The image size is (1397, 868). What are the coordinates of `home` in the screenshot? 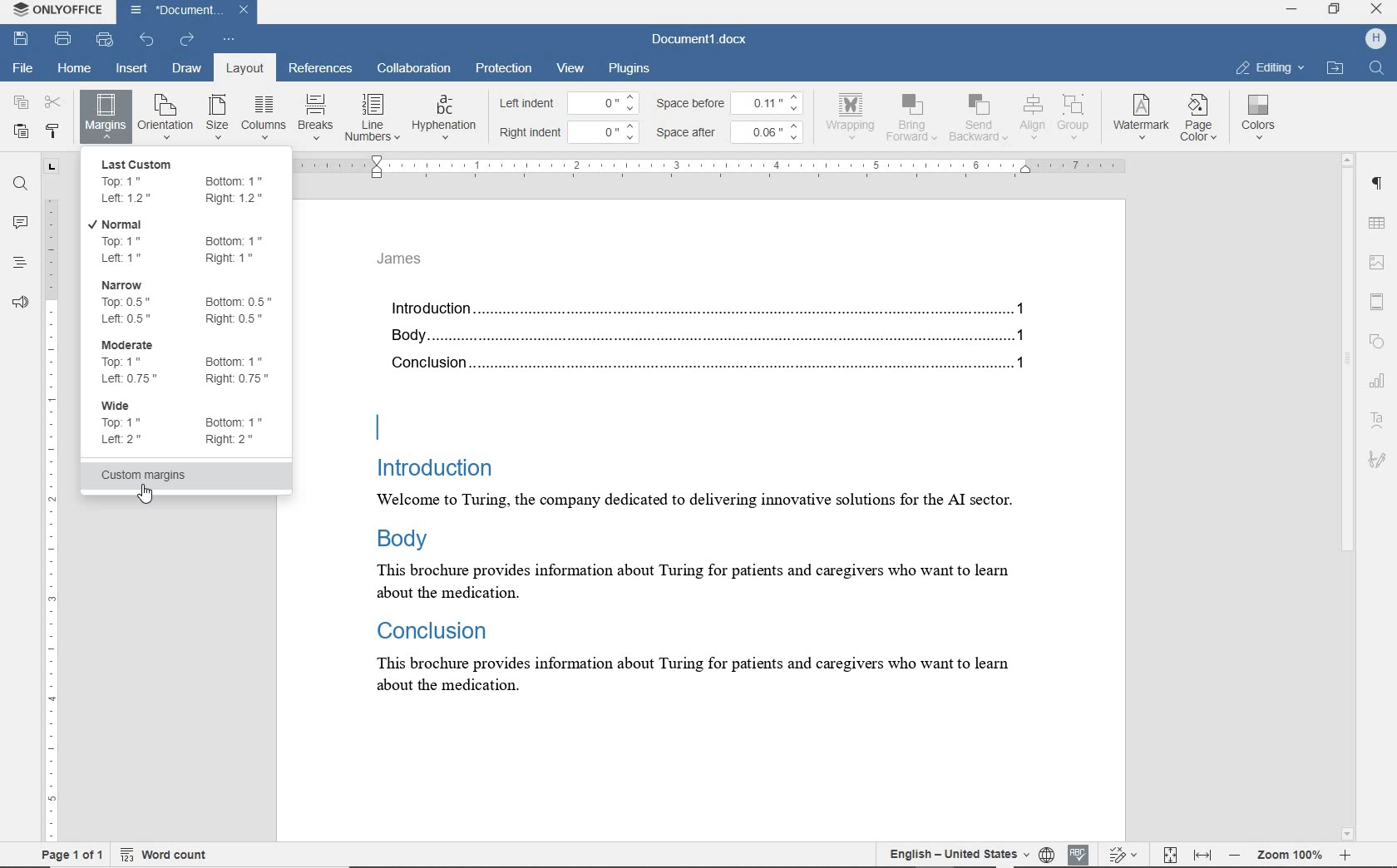 It's located at (72, 69).